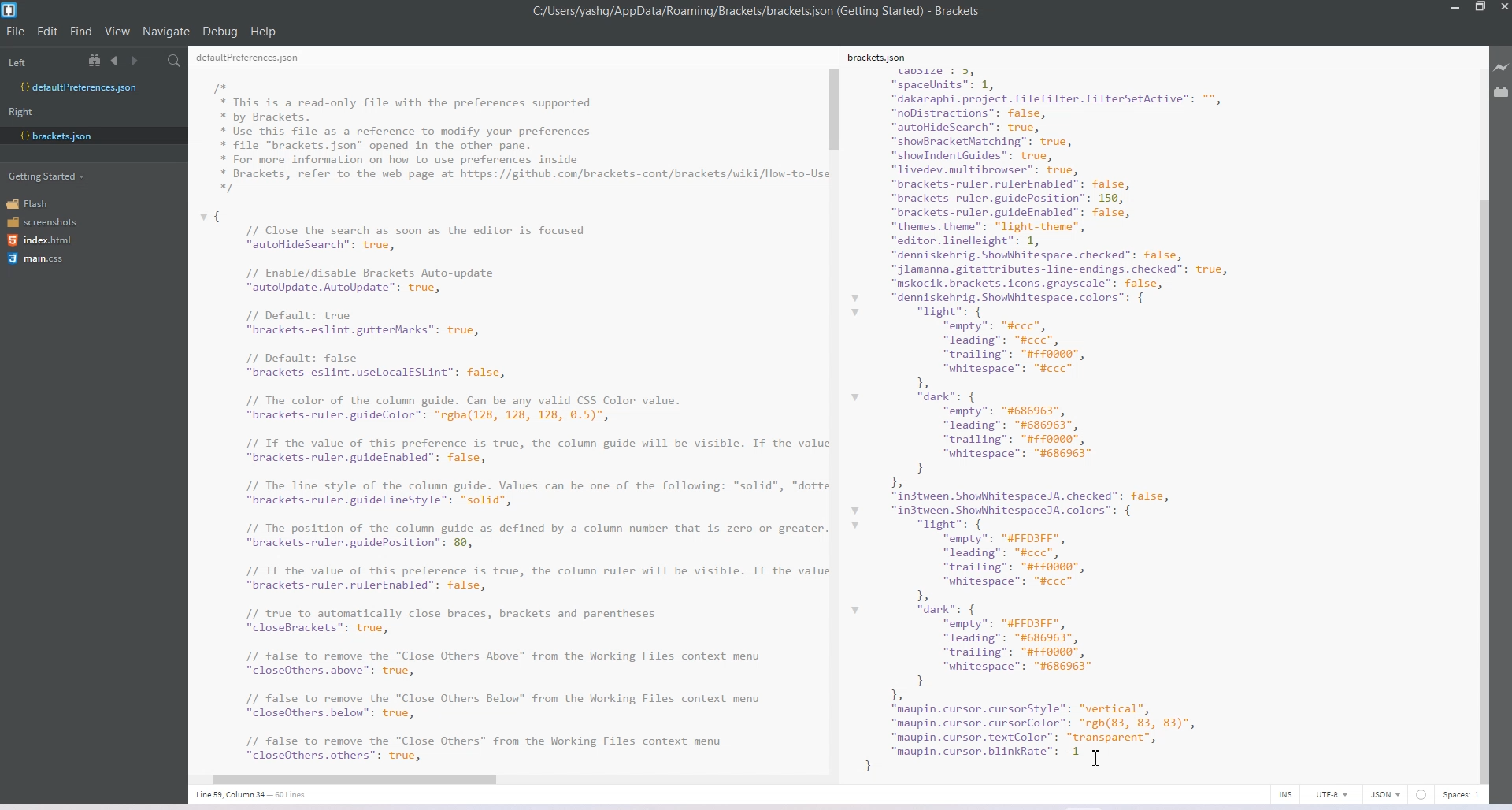 The height and width of the screenshot is (810, 1512). I want to click on Edit, so click(49, 31).